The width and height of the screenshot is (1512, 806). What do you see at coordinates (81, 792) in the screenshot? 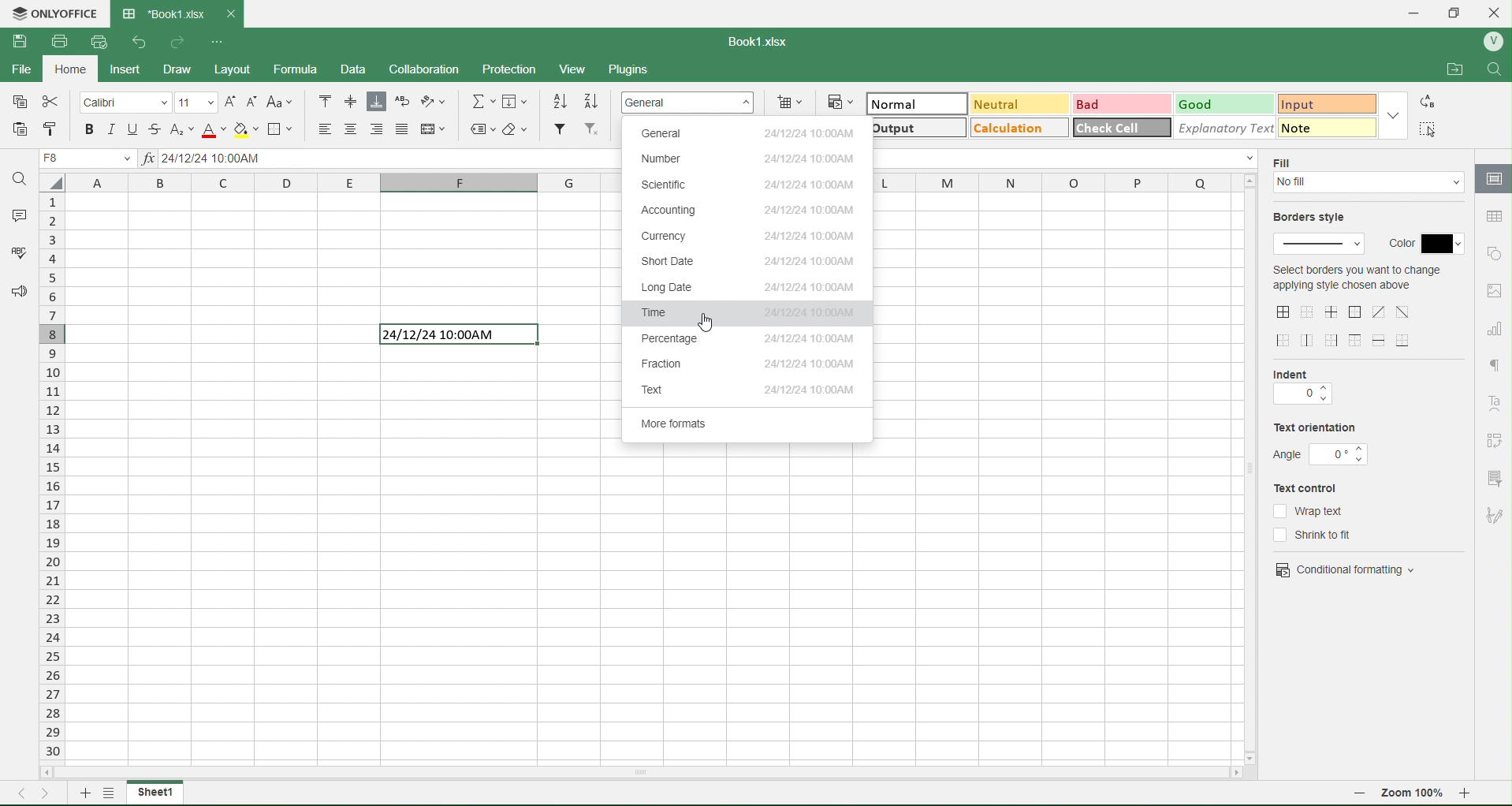
I see `Add` at bounding box center [81, 792].